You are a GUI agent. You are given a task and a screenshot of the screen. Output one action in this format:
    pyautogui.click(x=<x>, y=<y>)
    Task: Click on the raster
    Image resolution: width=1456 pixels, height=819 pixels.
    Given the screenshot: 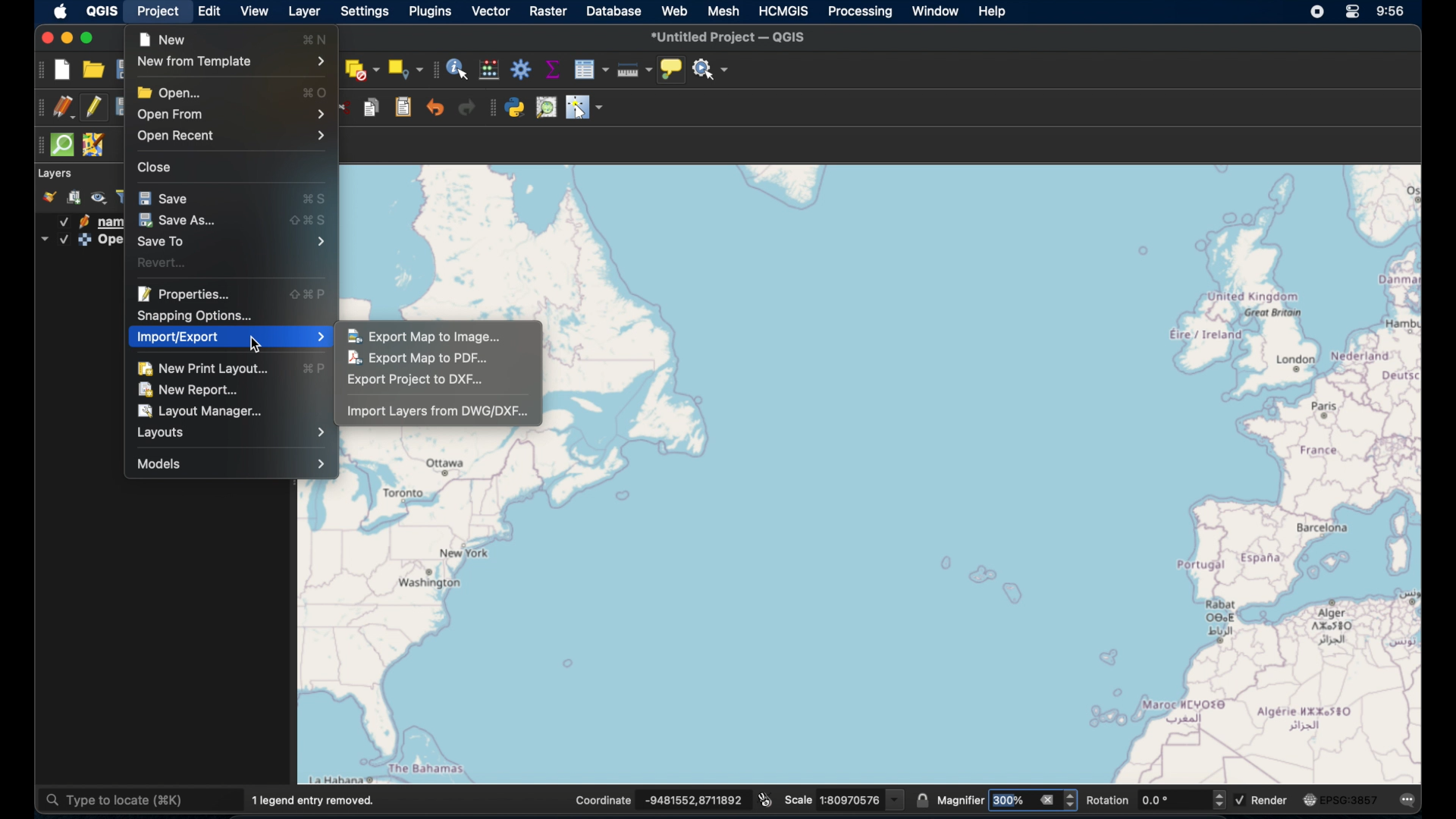 What is the action you would take?
    pyautogui.click(x=548, y=11)
    